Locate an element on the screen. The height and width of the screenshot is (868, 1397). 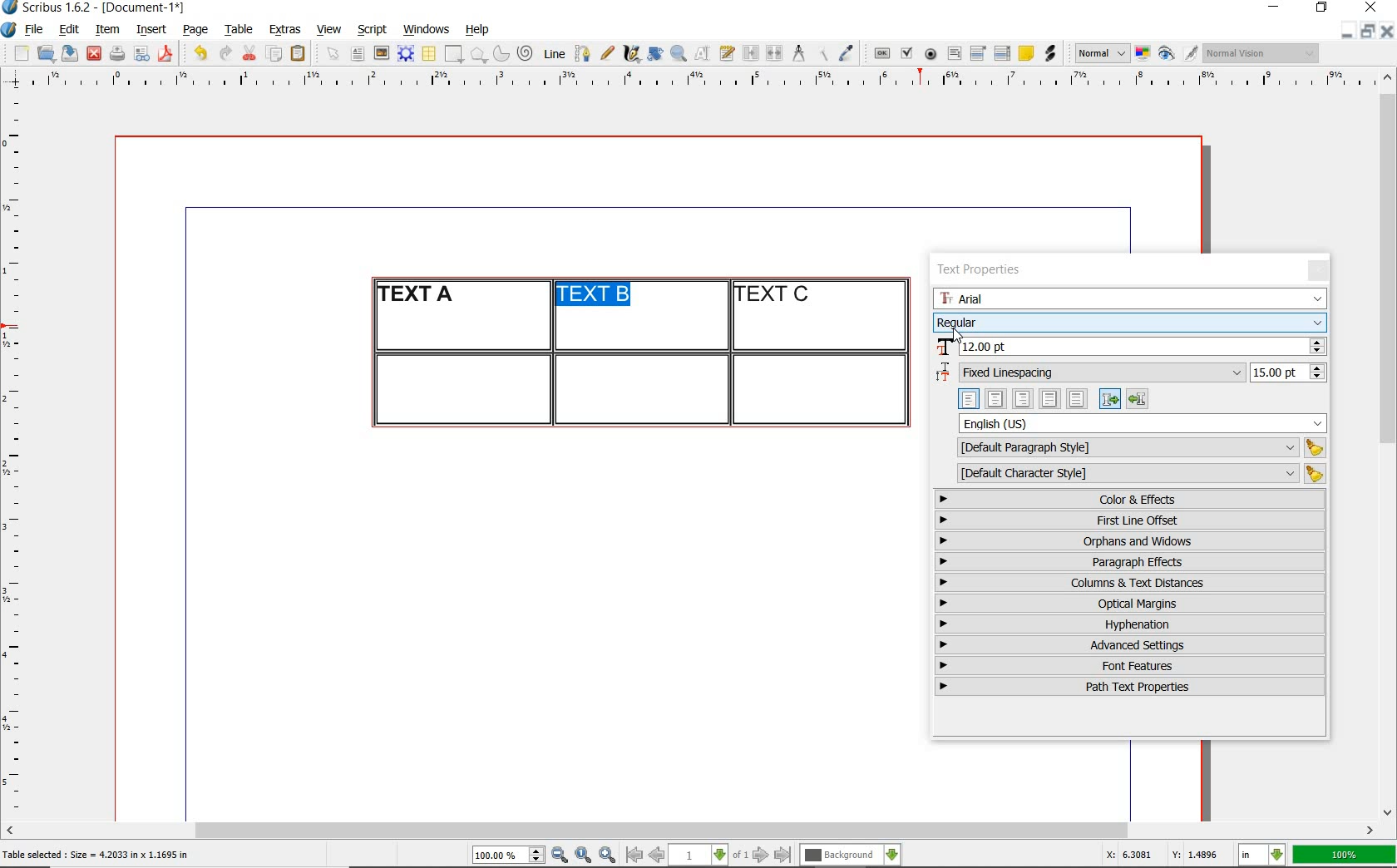
ruler is located at coordinates (709, 81).